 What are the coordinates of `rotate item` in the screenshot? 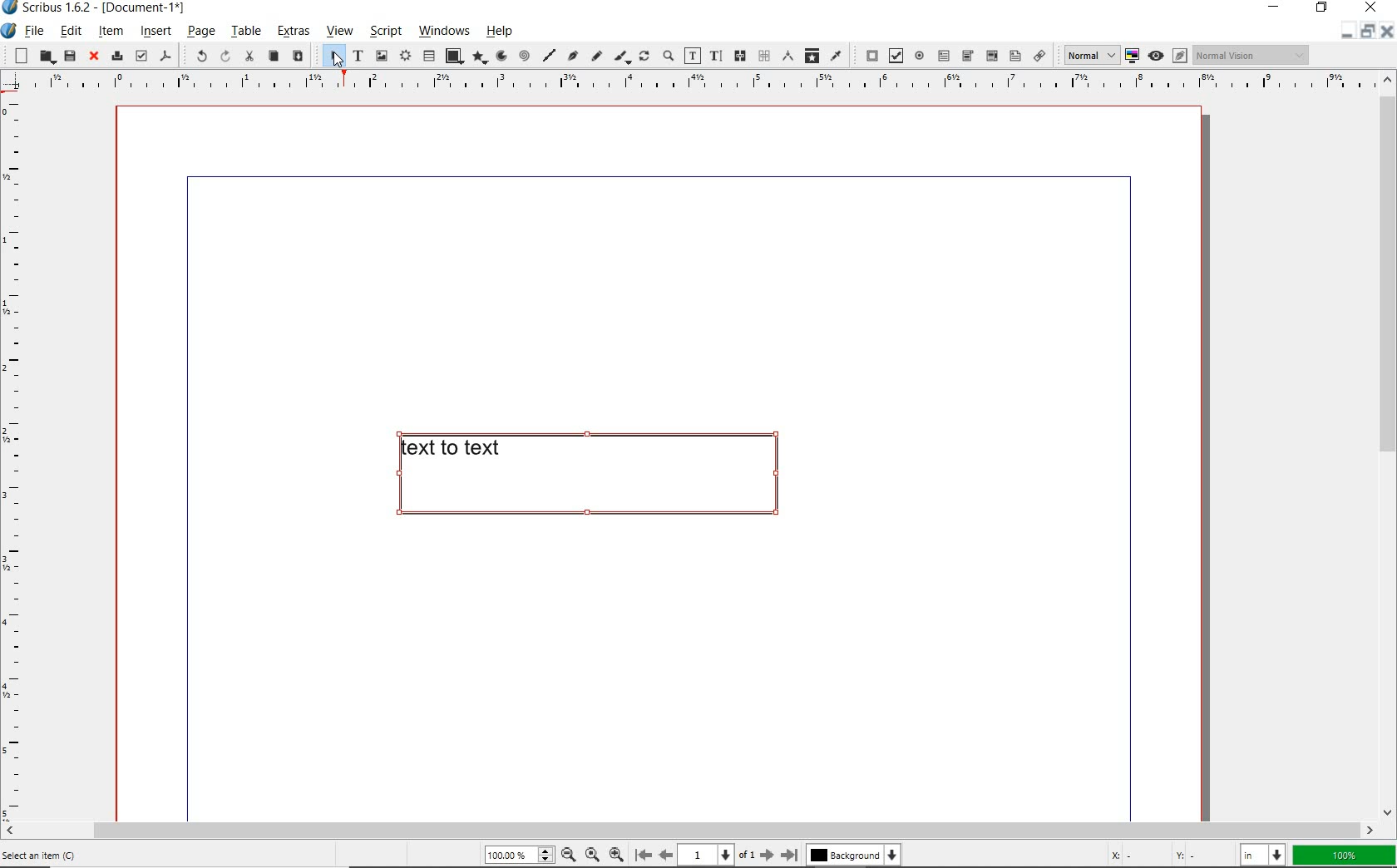 It's located at (644, 57).